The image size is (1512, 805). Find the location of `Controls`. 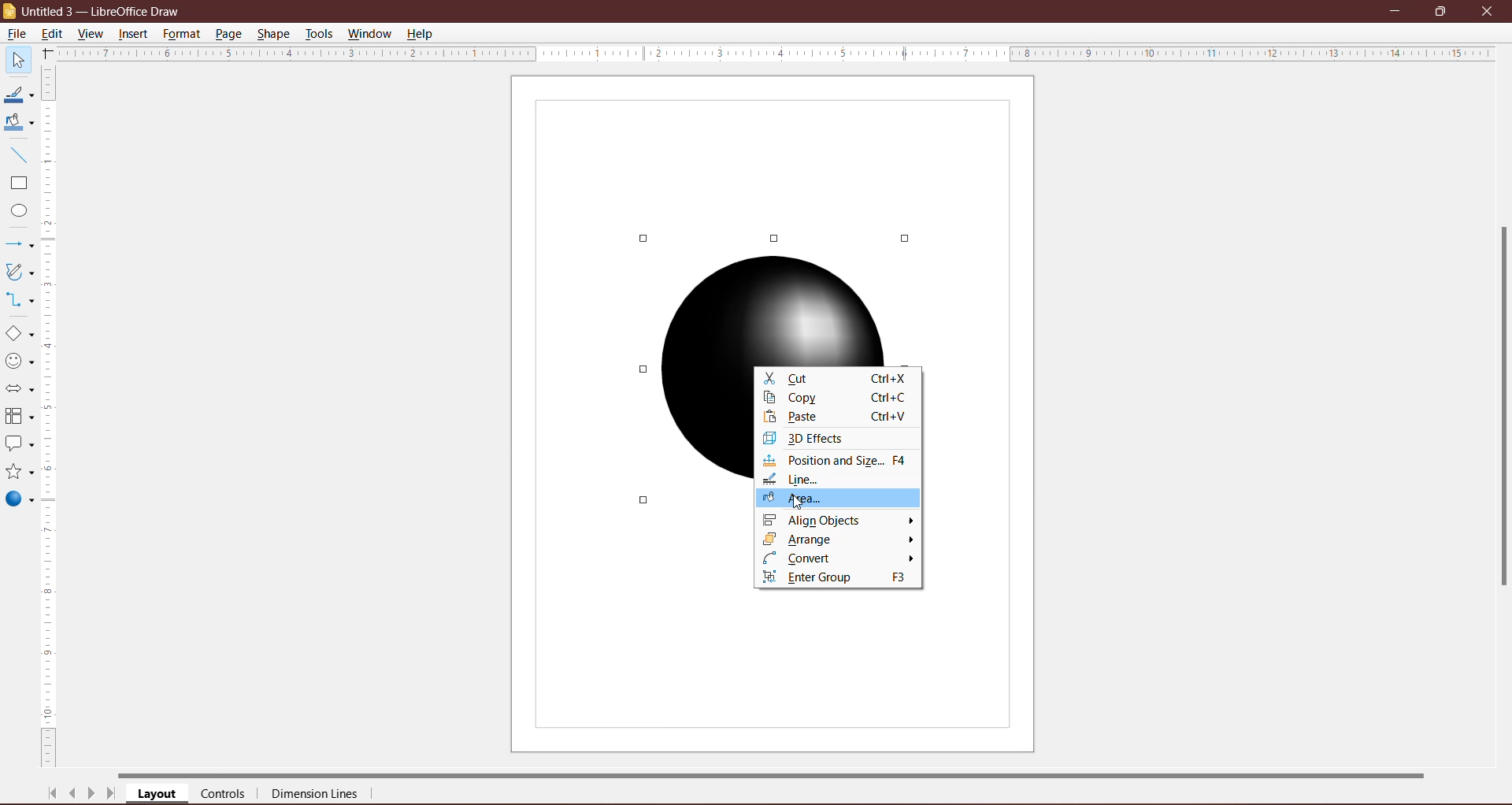

Controls is located at coordinates (228, 795).